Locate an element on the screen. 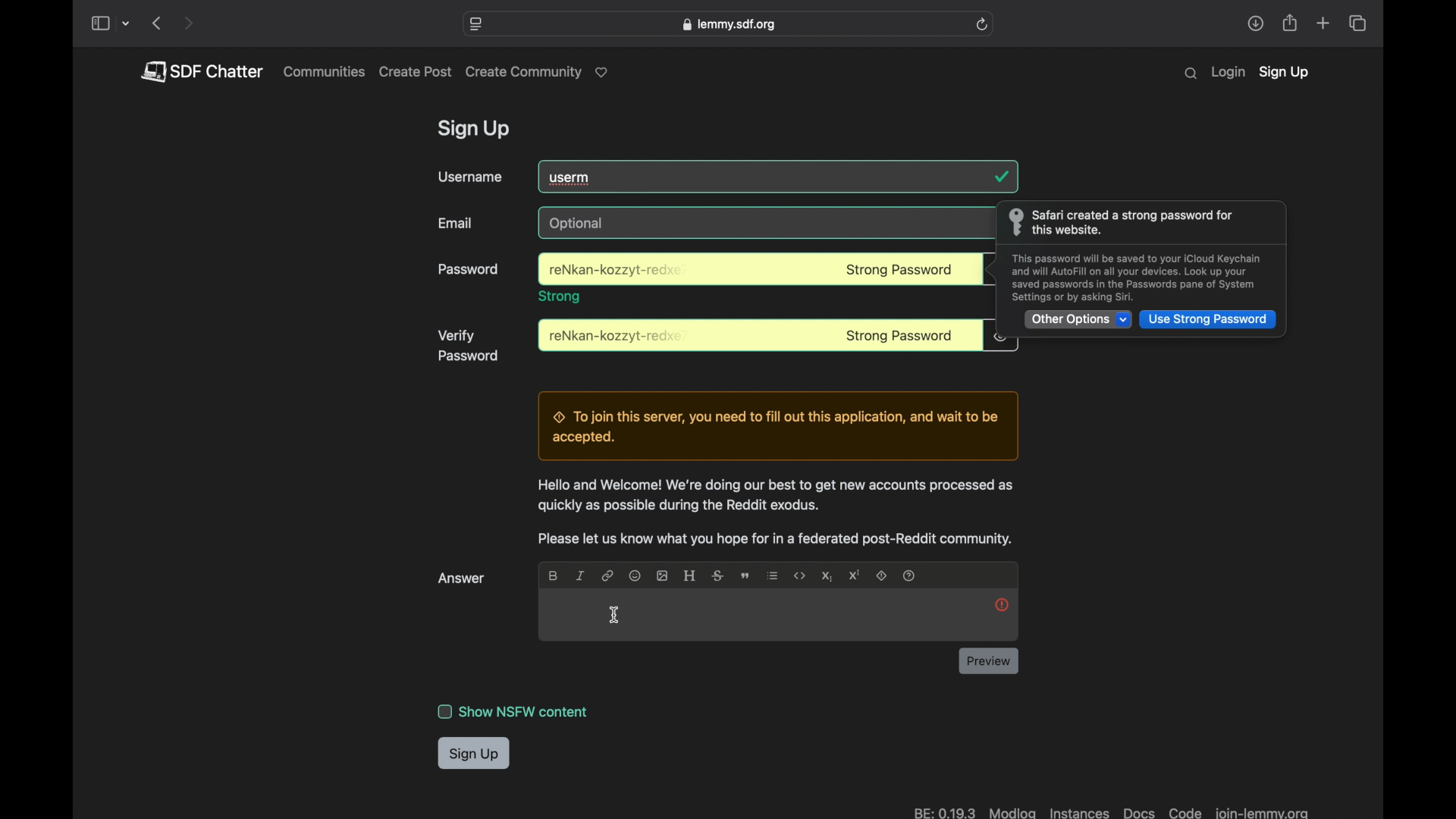  use strong password is located at coordinates (1209, 319).